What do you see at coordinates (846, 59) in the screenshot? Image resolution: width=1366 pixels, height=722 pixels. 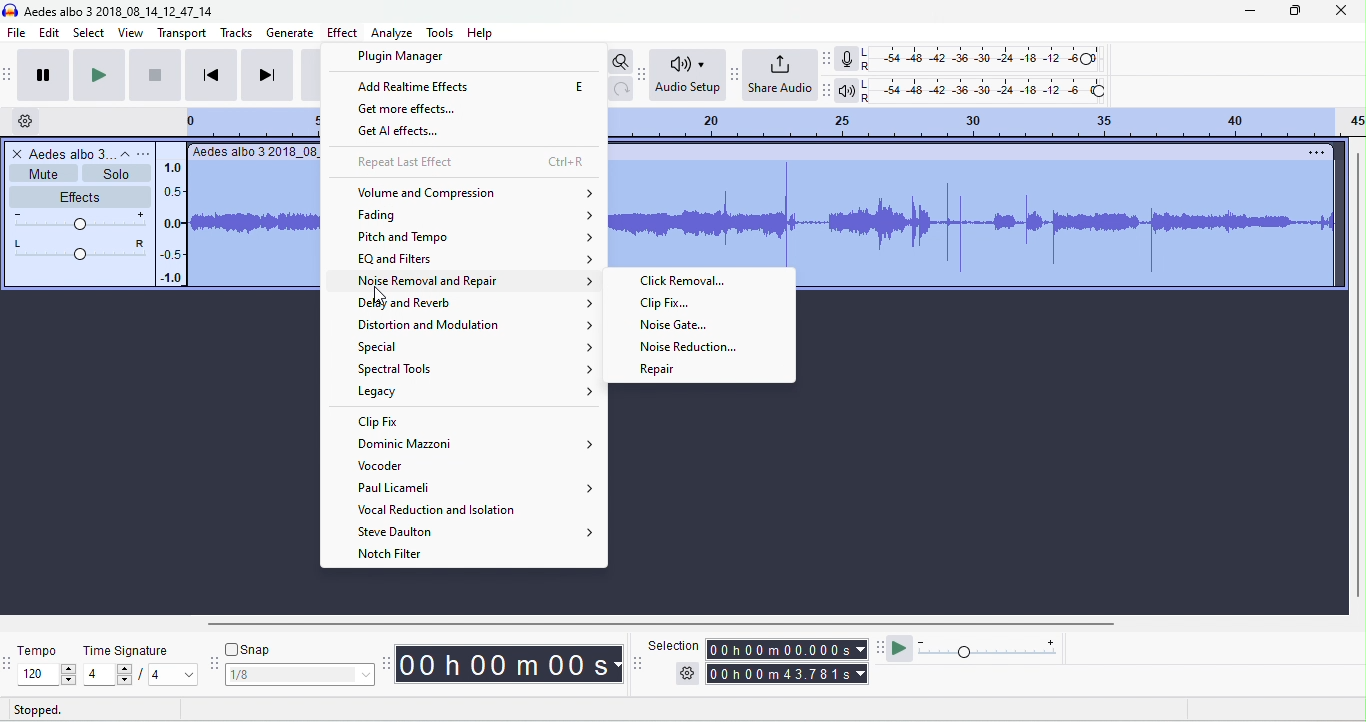 I see `record meter` at bounding box center [846, 59].